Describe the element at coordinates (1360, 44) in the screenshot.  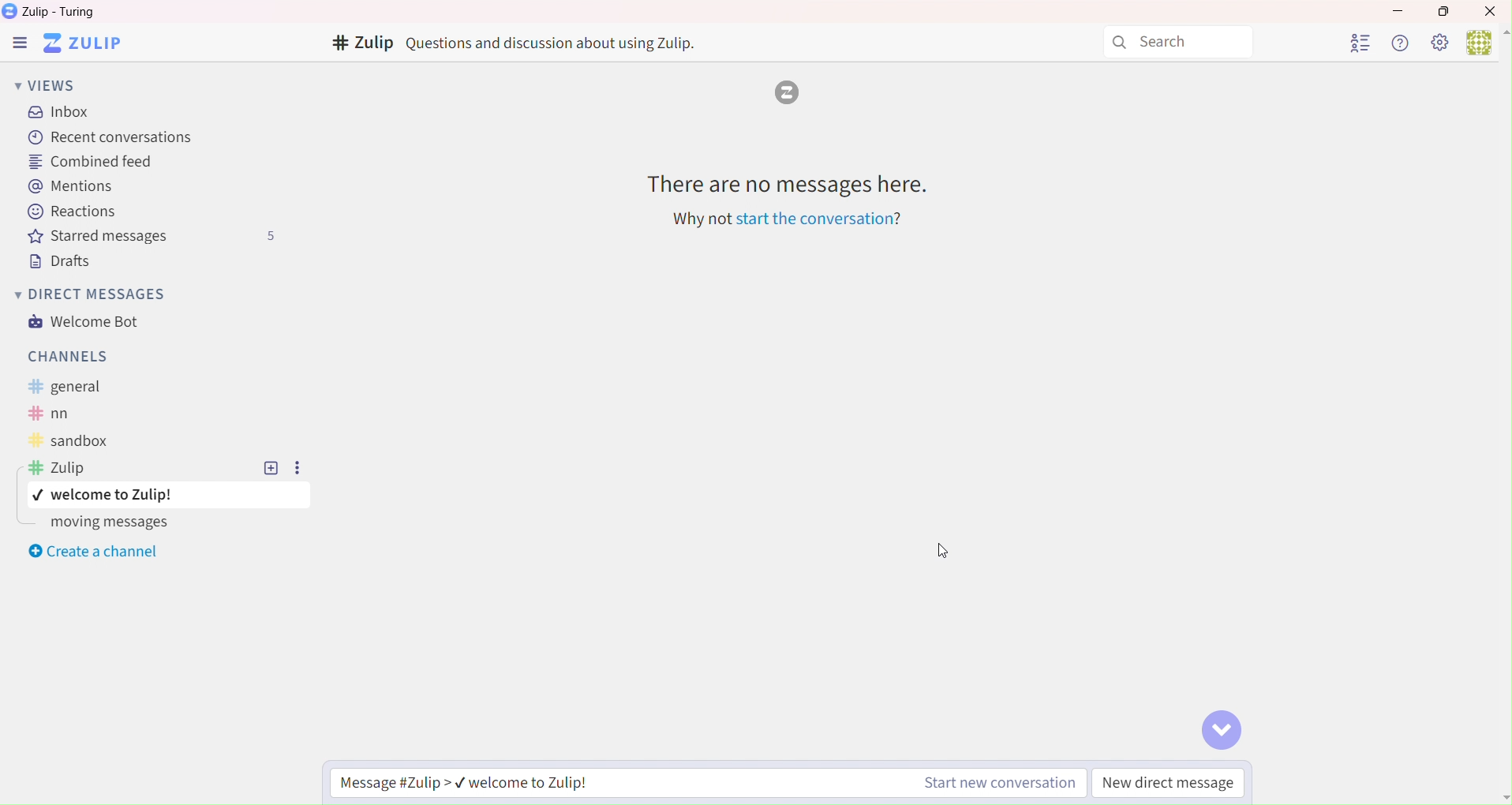
I see `User` at that location.